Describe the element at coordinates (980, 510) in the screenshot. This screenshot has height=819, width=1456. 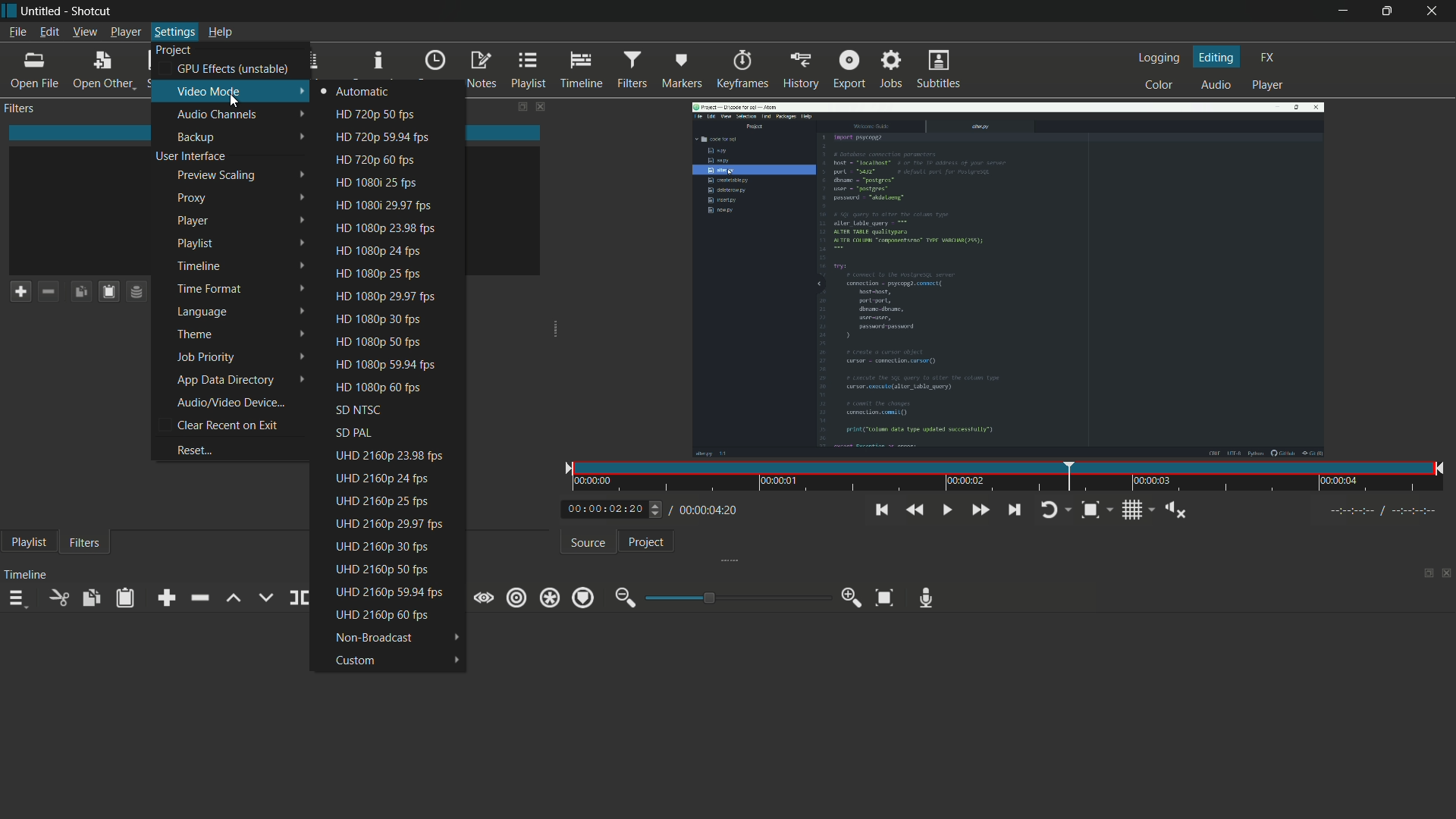
I see `quickly play forward` at that location.